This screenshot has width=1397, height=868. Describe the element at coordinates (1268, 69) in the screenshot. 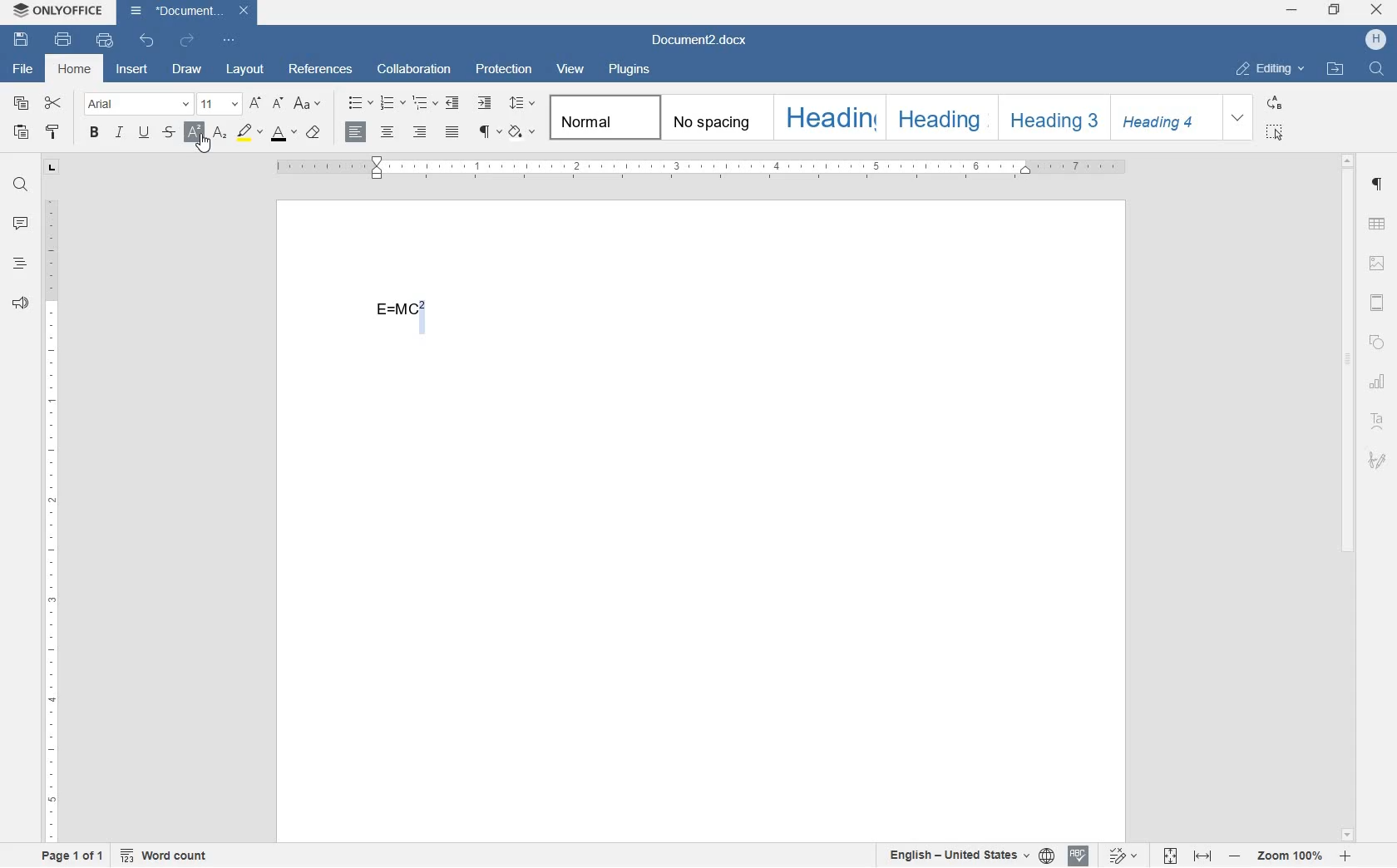

I see `editing` at that location.